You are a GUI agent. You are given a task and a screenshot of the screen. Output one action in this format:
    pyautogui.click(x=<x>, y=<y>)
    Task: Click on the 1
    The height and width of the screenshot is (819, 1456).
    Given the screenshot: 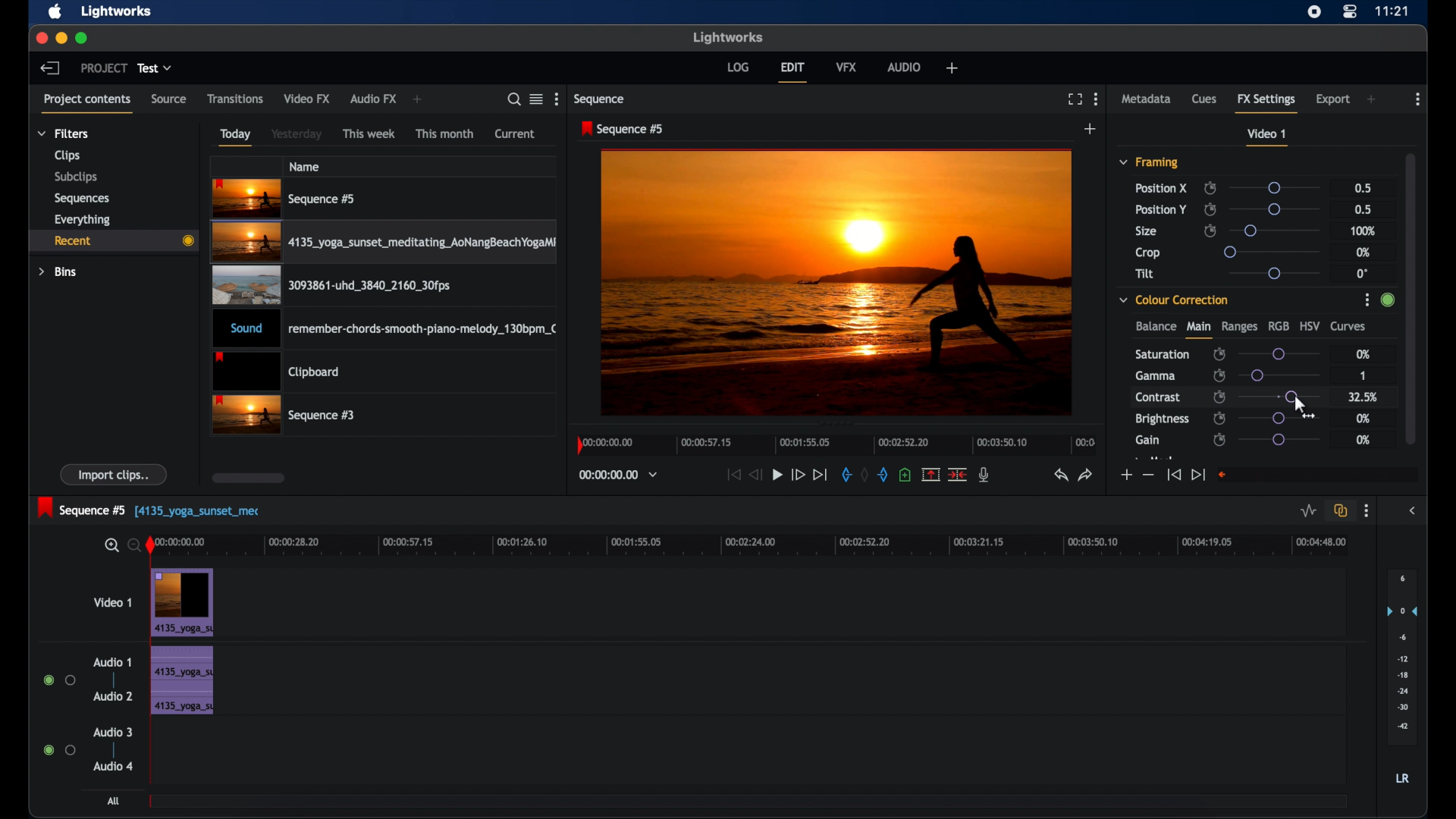 What is the action you would take?
    pyautogui.click(x=1362, y=377)
    